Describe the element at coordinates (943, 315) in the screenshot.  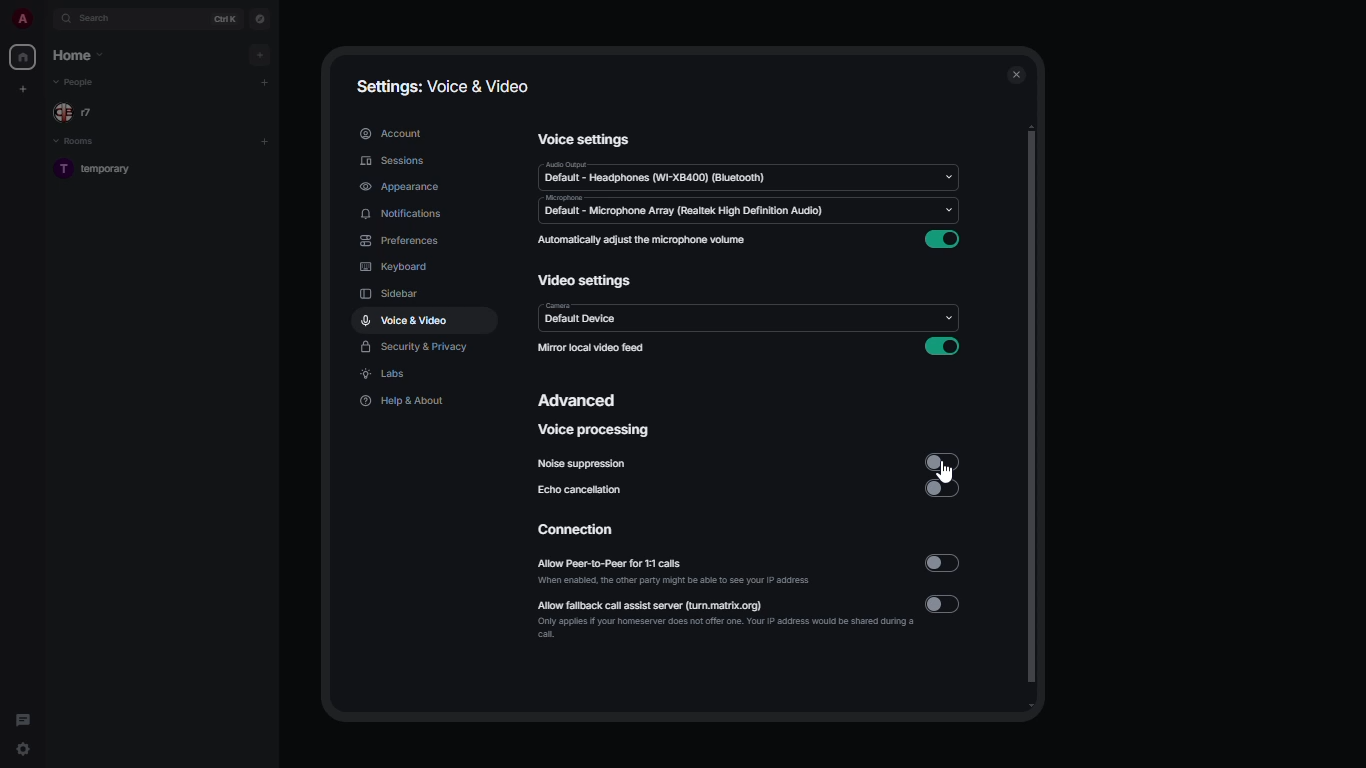
I see `drop down` at that location.